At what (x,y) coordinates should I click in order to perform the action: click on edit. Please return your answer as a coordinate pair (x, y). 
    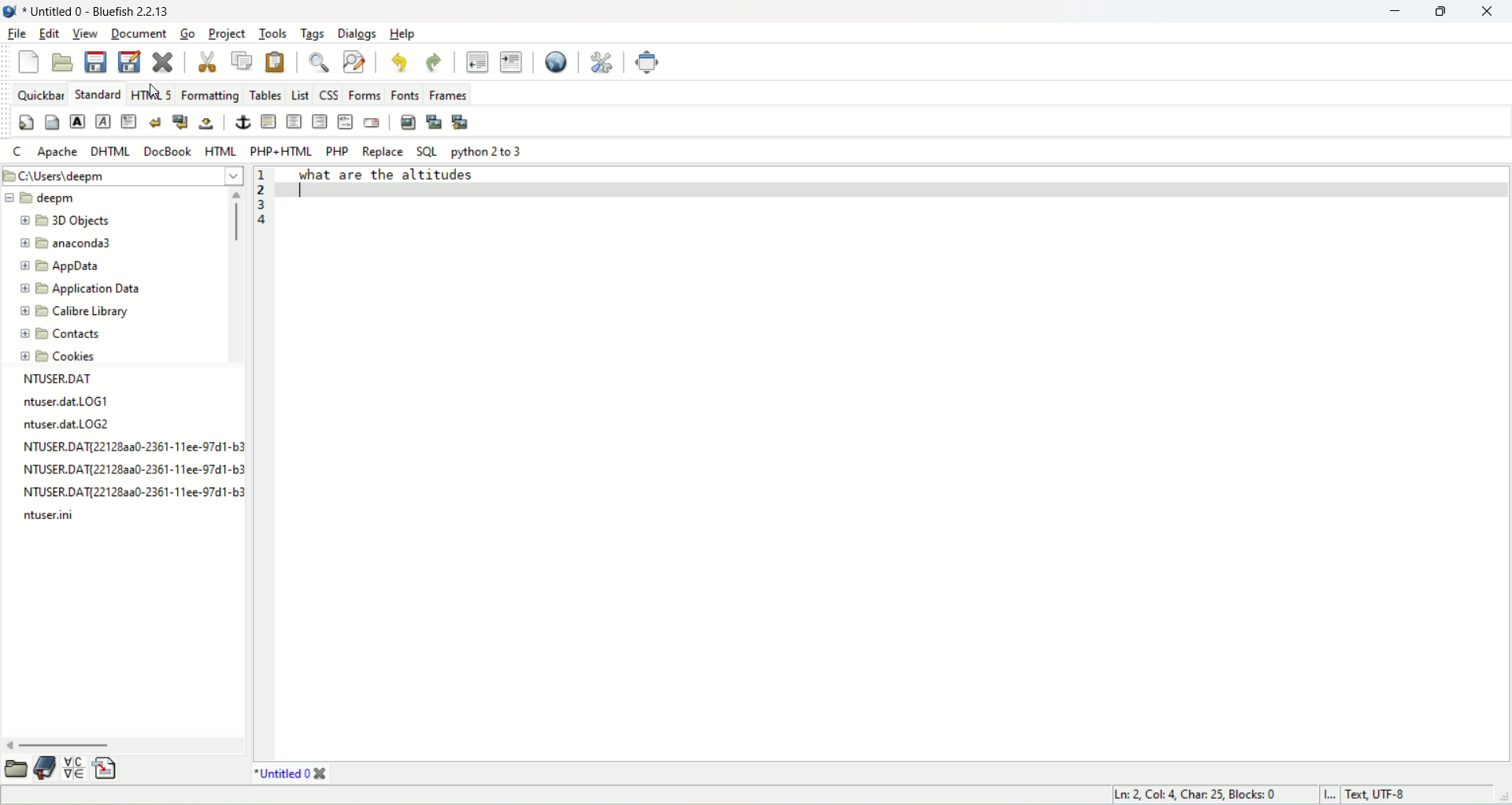
    Looking at the image, I should click on (48, 35).